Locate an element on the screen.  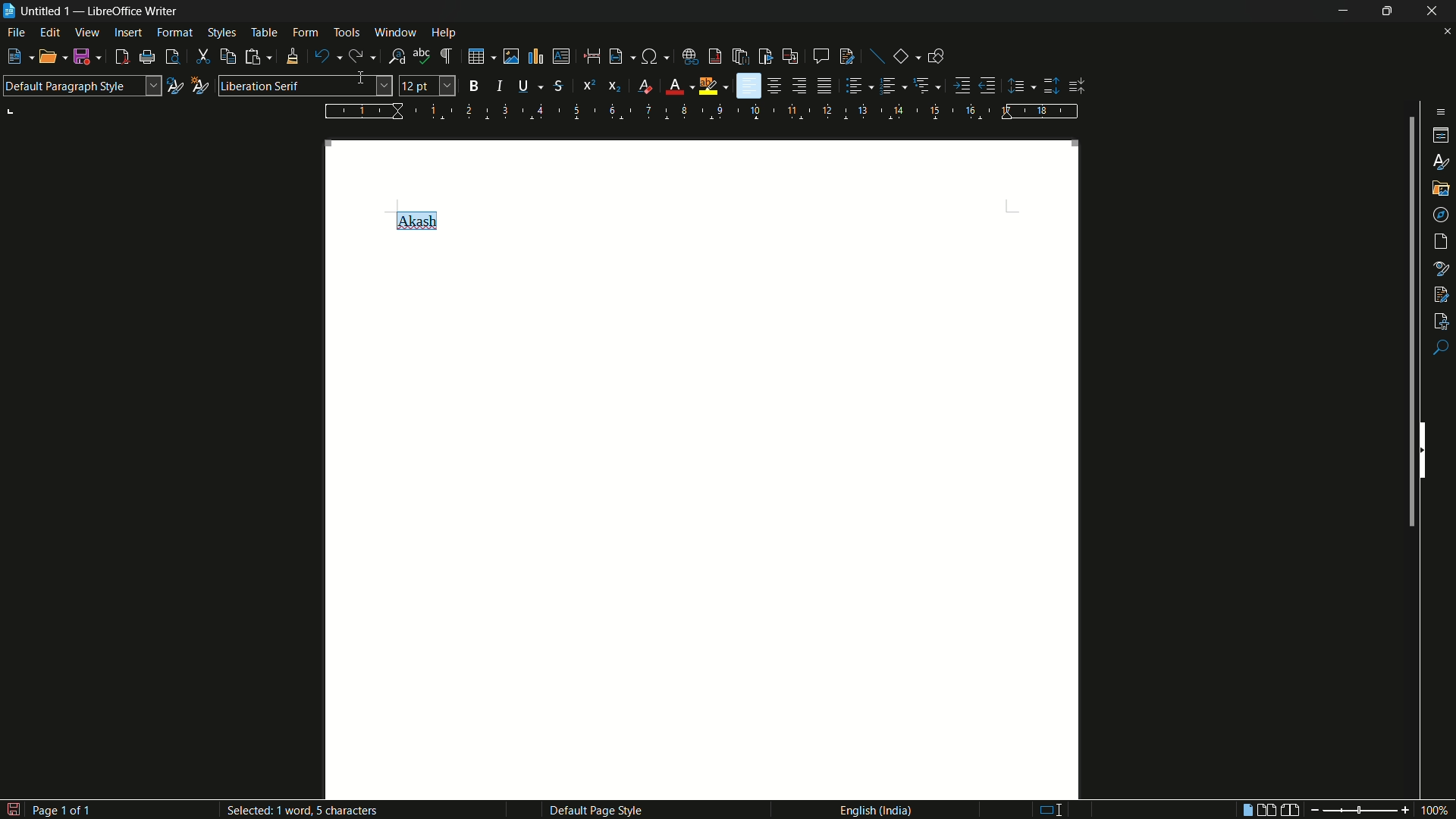
underline is located at coordinates (523, 85).